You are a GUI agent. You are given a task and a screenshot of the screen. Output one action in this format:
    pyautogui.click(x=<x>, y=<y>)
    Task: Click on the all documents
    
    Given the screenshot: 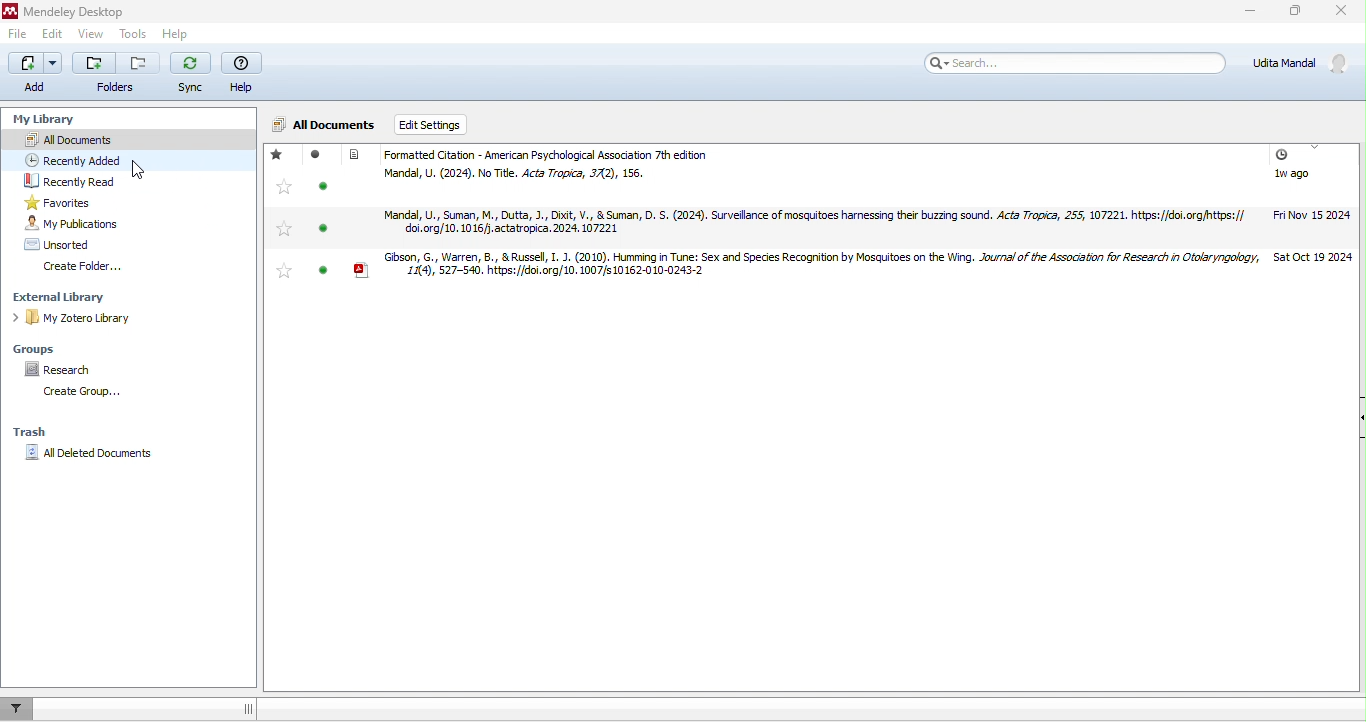 What is the action you would take?
    pyautogui.click(x=73, y=139)
    